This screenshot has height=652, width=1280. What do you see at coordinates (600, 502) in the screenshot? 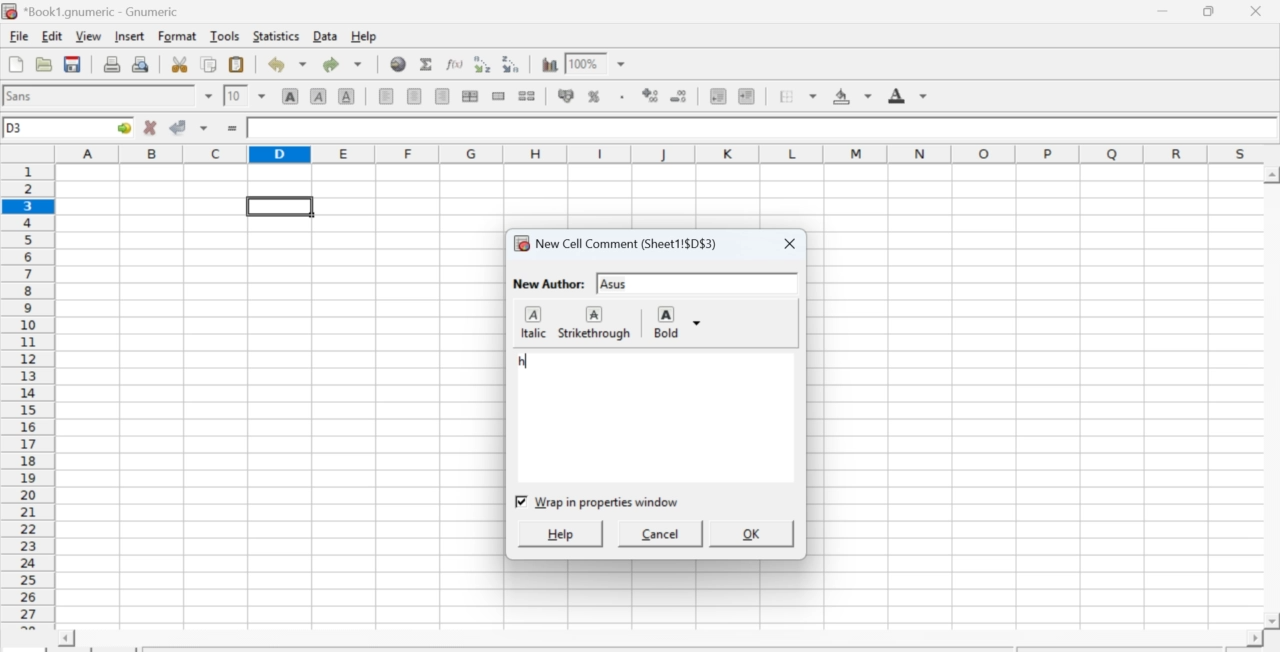
I see `checkbox` at bounding box center [600, 502].